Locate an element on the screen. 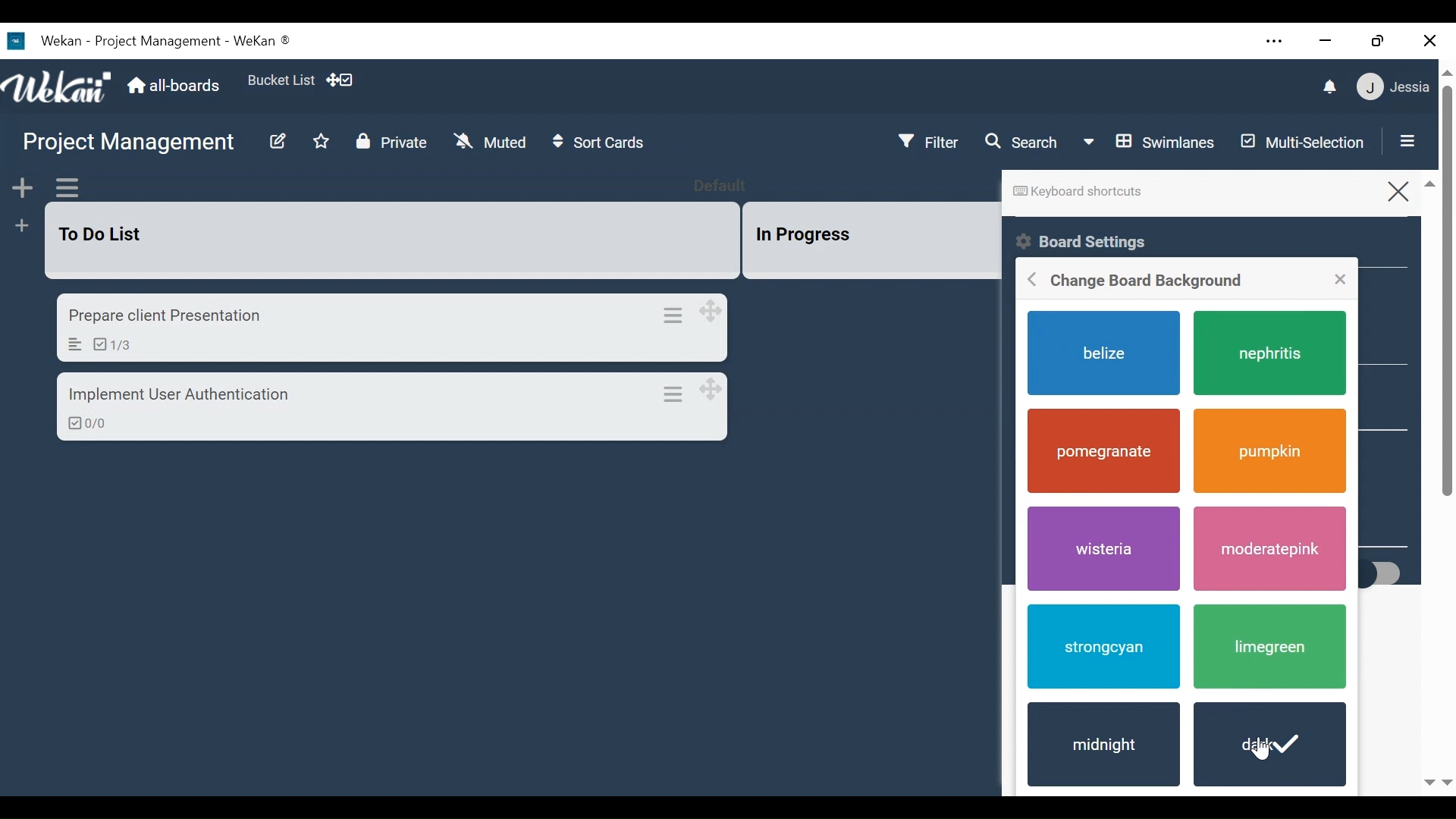 The width and height of the screenshot is (1456, 819). midnight is located at coordinates (1099, 748).